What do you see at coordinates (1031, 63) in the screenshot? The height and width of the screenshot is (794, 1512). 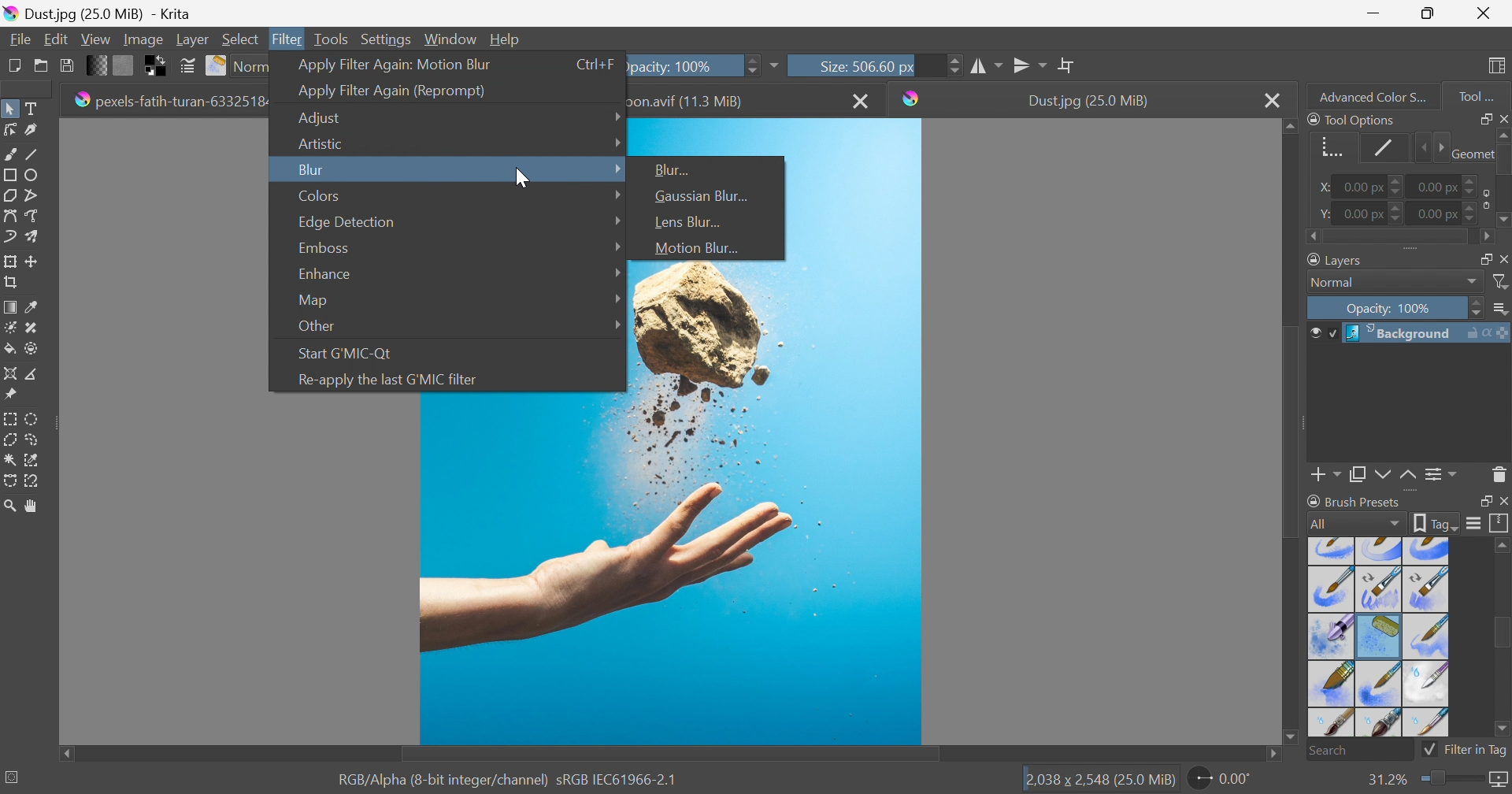 I see `Horizontal mirror tool` at bounding box center [1031, 63].